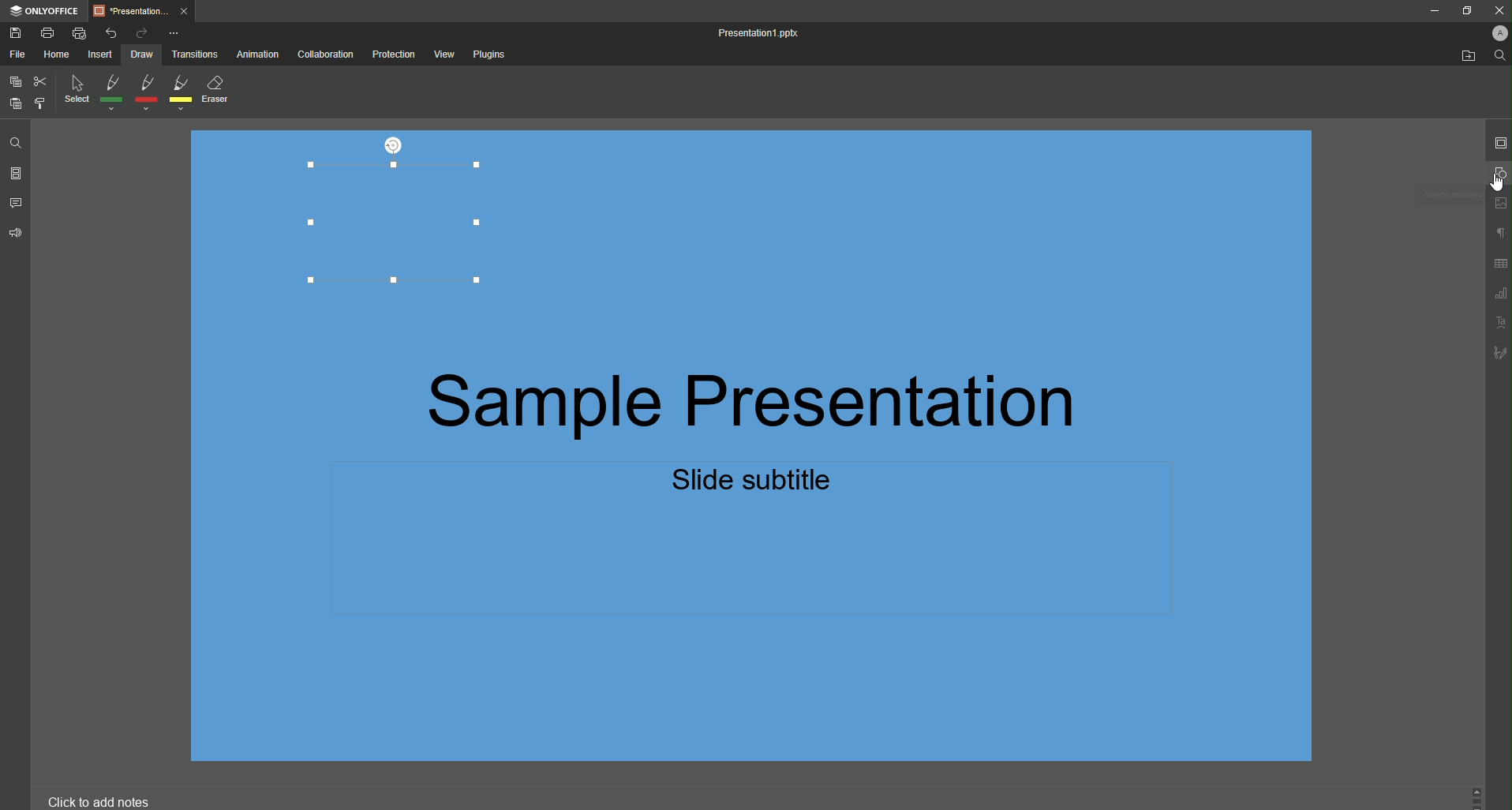  Describe the element at coordinates (39, 103) in the screenshot. I see `Choose Styling` at that location.